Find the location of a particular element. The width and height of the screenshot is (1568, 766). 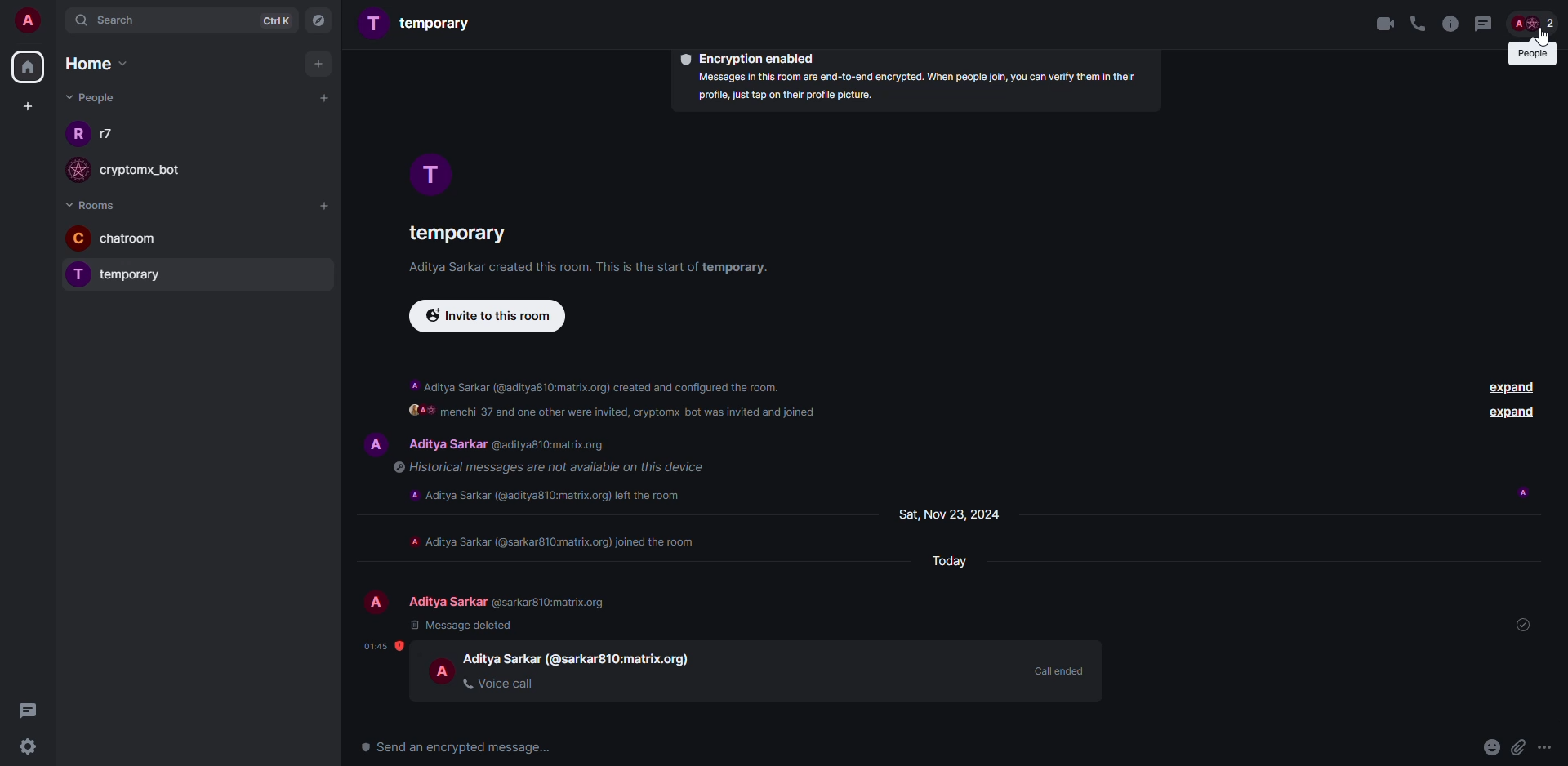

start chat is located at coordinates (323, 97).